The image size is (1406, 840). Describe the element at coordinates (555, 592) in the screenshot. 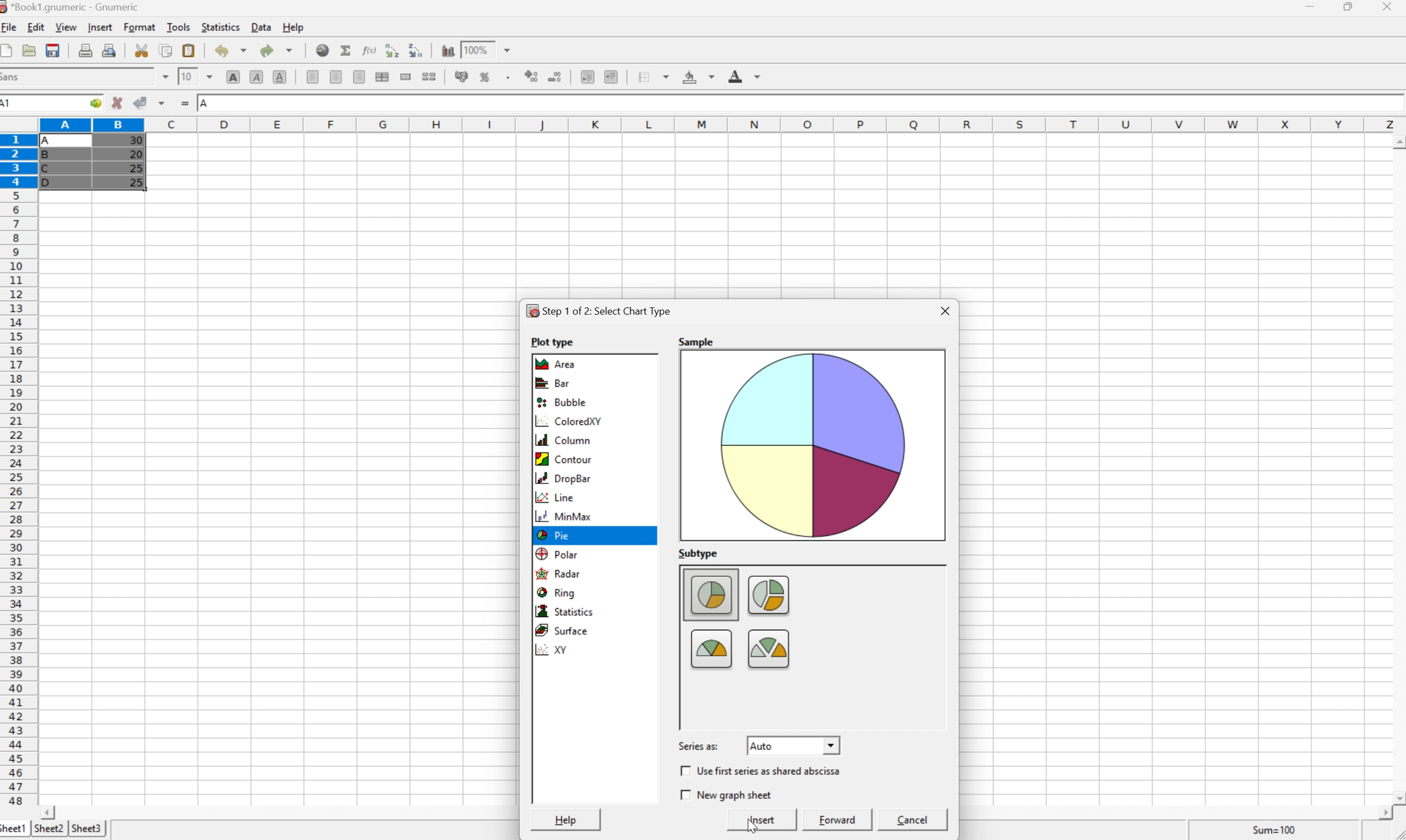

I see `Ring` at that location.